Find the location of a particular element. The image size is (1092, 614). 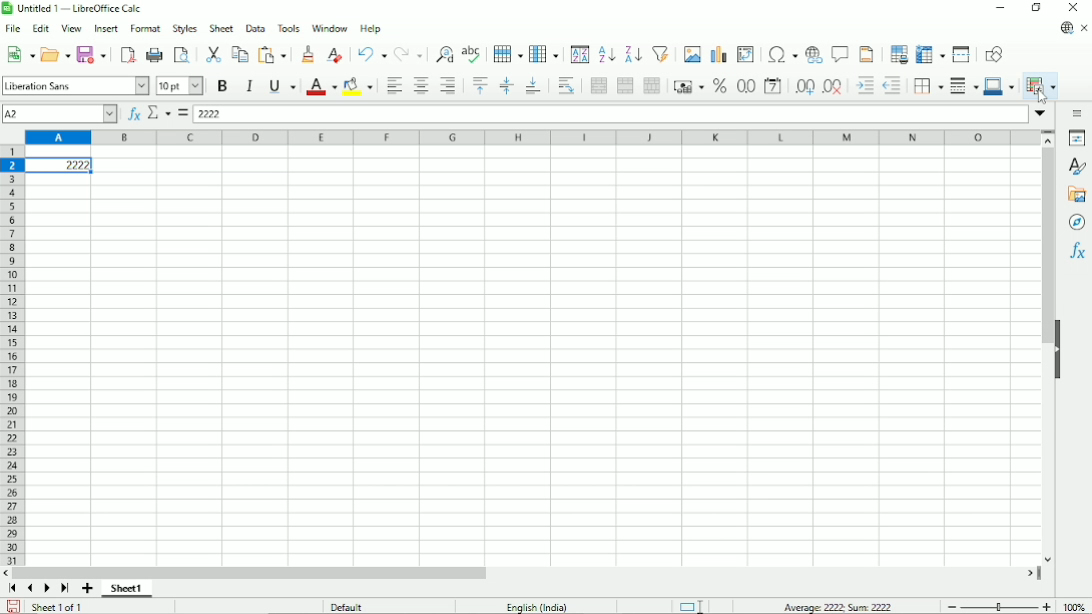

Format as number is located at coordinates (745, 87).